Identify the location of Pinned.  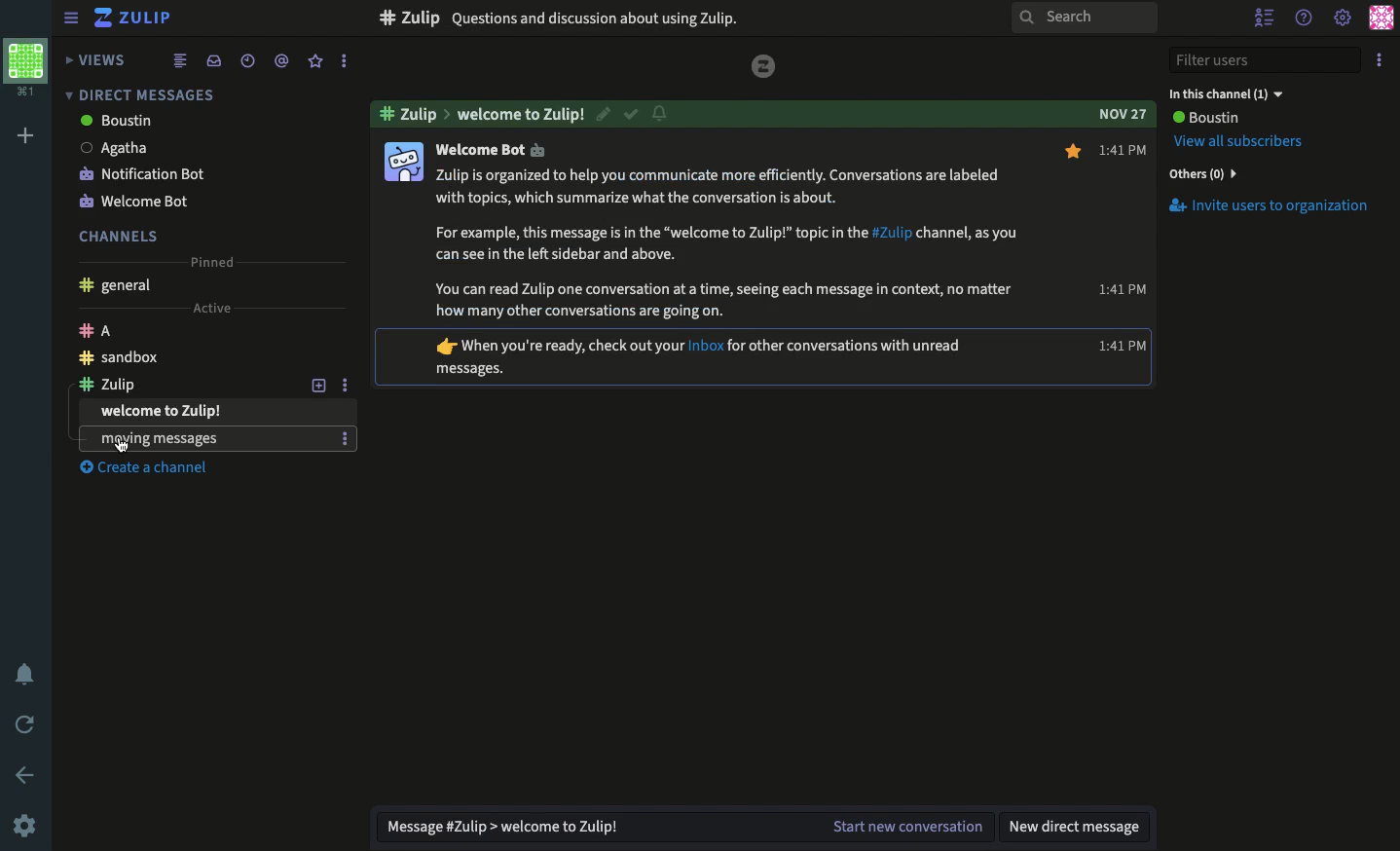
(210, 259).